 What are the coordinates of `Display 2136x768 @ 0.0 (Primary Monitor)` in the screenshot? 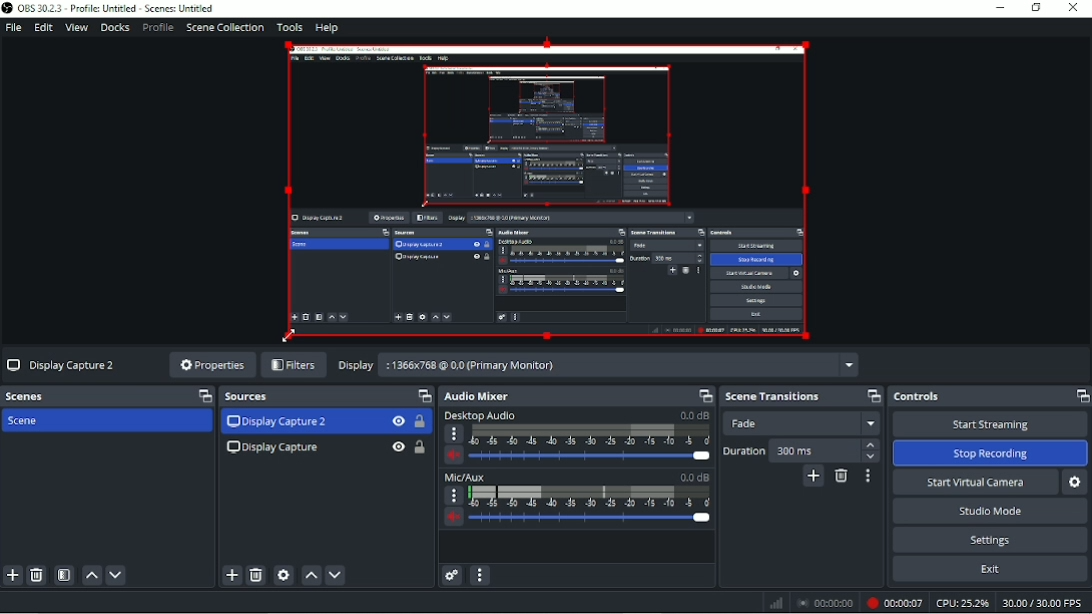 It's located at (598, 366).